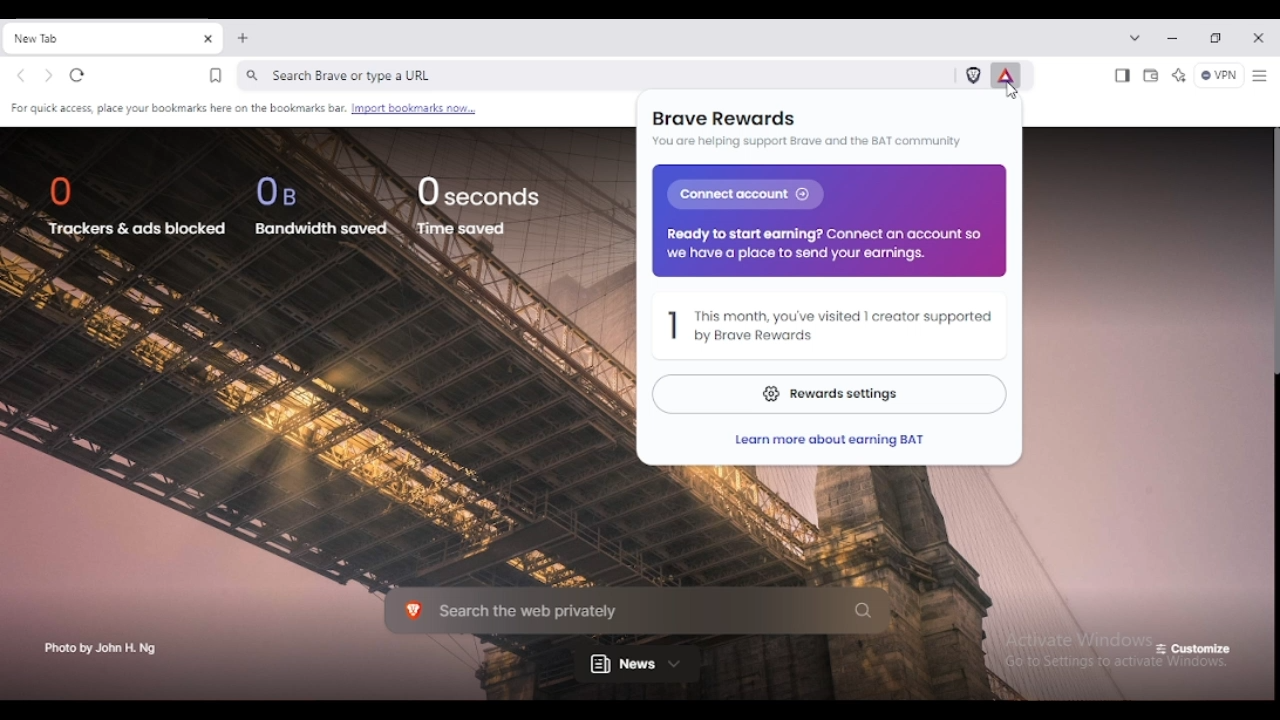 The height and width of the screenshot is (720, 1280). What do you see at coordinates (241, 107) in the screenshot?
I see `for quick access place your bookmarks here on the bookmark bar. import bookmarks now...` at bounding box center [241, 107].